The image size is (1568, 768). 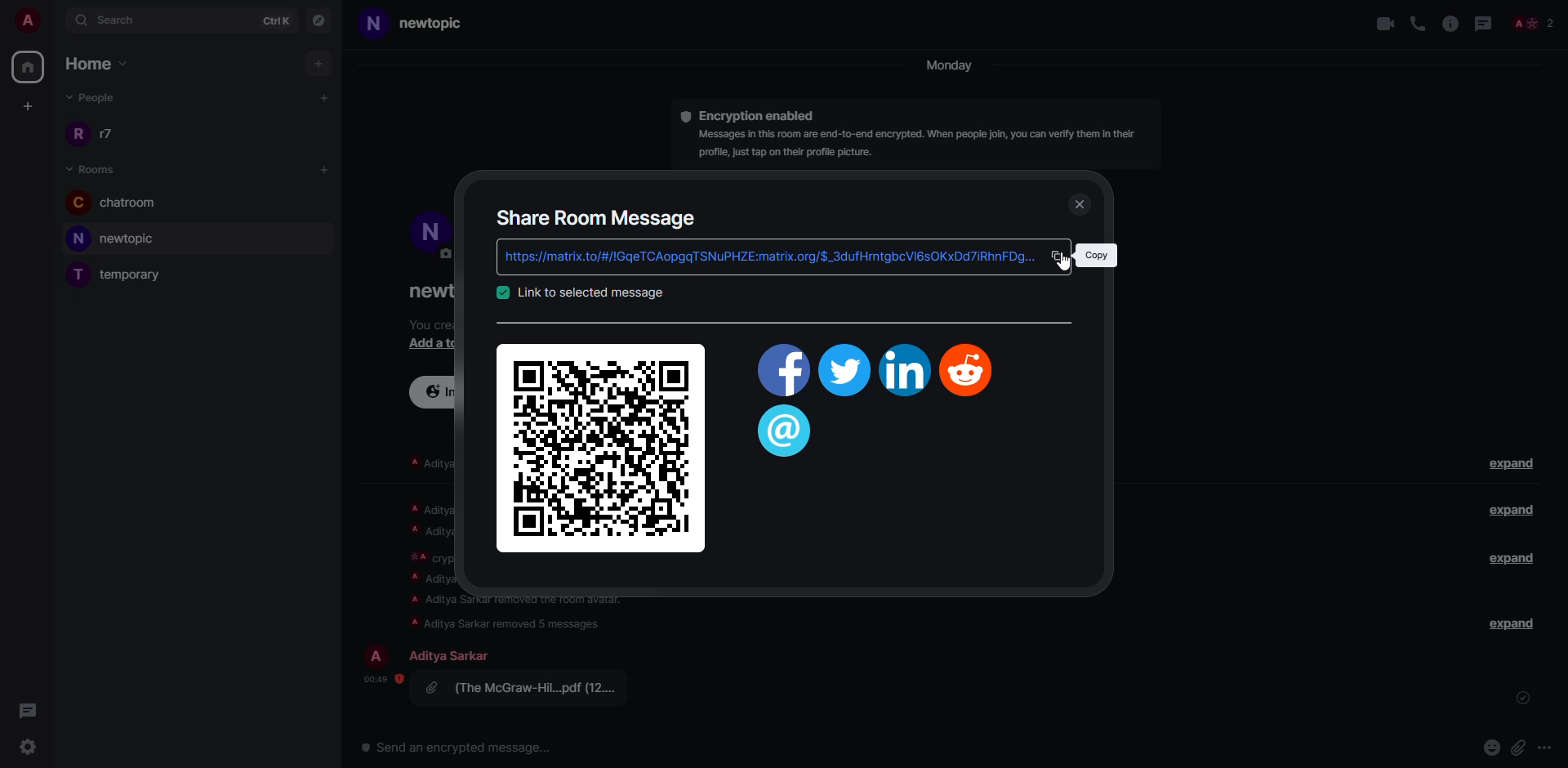 I want to click on add, so click(x=327, y=169).